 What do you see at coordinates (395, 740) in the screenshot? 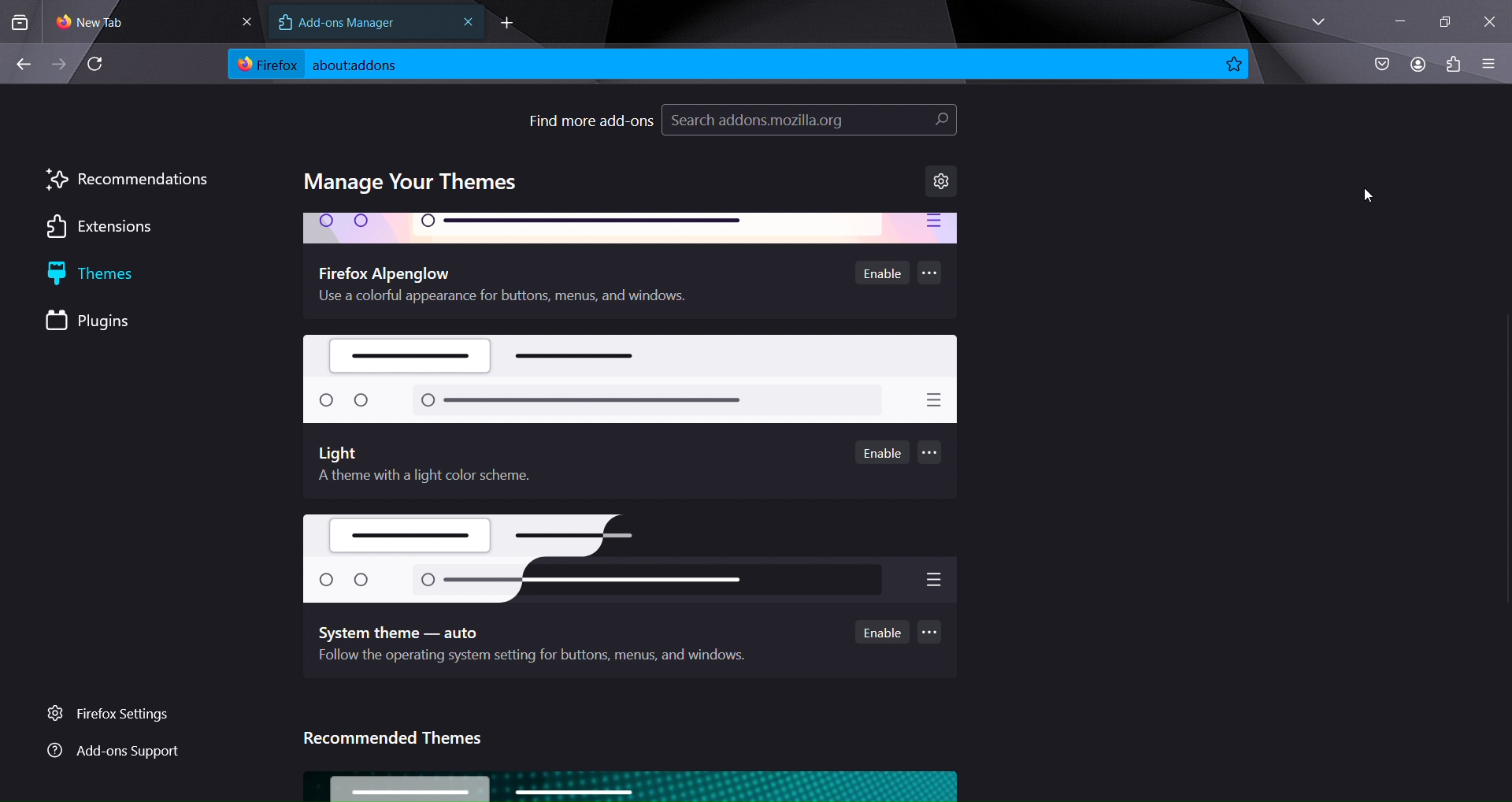
I see `recommended themes` at bounding box center [395, 740].